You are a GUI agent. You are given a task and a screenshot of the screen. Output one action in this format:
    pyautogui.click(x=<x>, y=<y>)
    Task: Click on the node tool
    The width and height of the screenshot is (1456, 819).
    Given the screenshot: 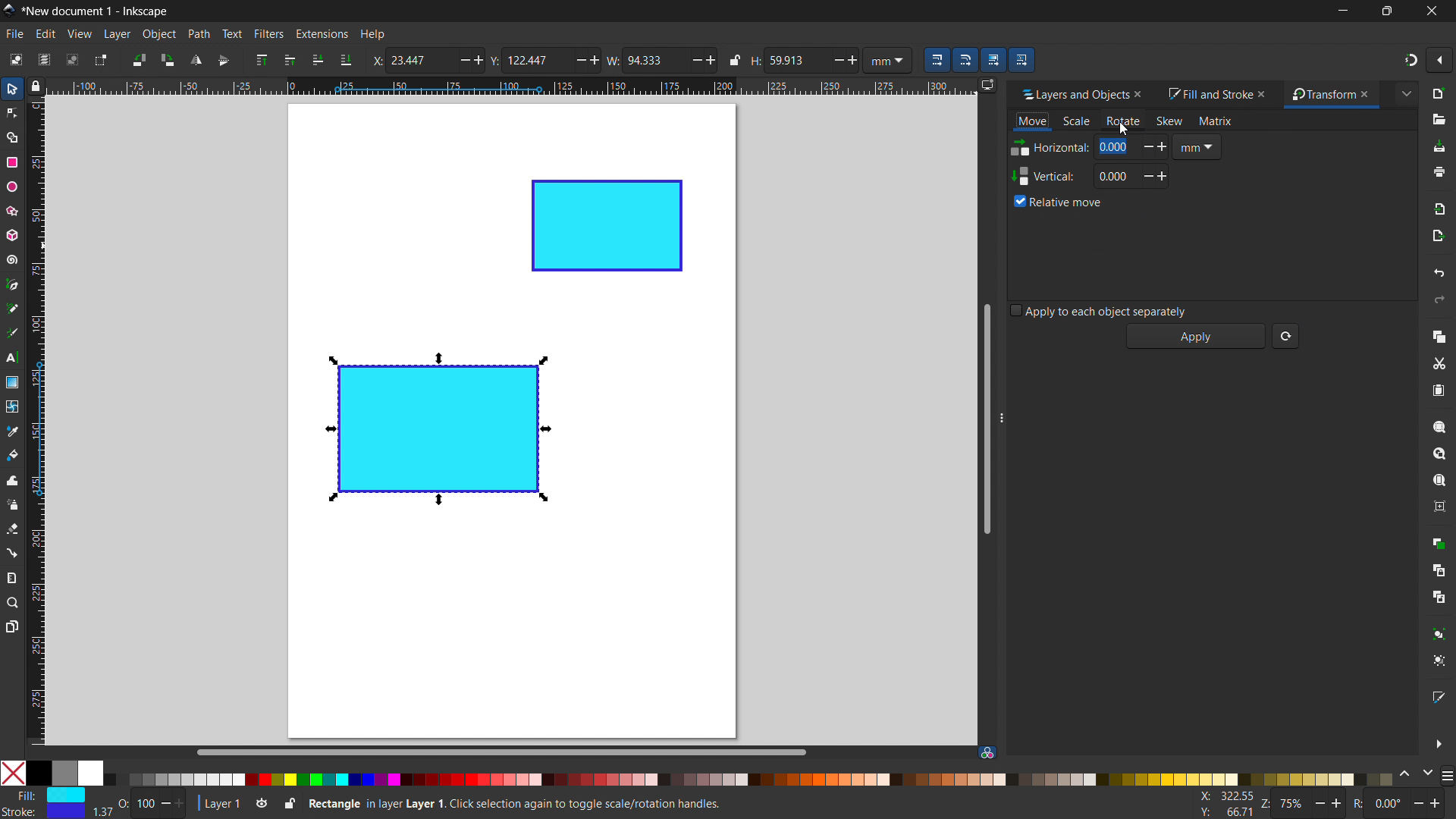 What is the action you would take?
    pyautogui.click(x=11, y=111)
    